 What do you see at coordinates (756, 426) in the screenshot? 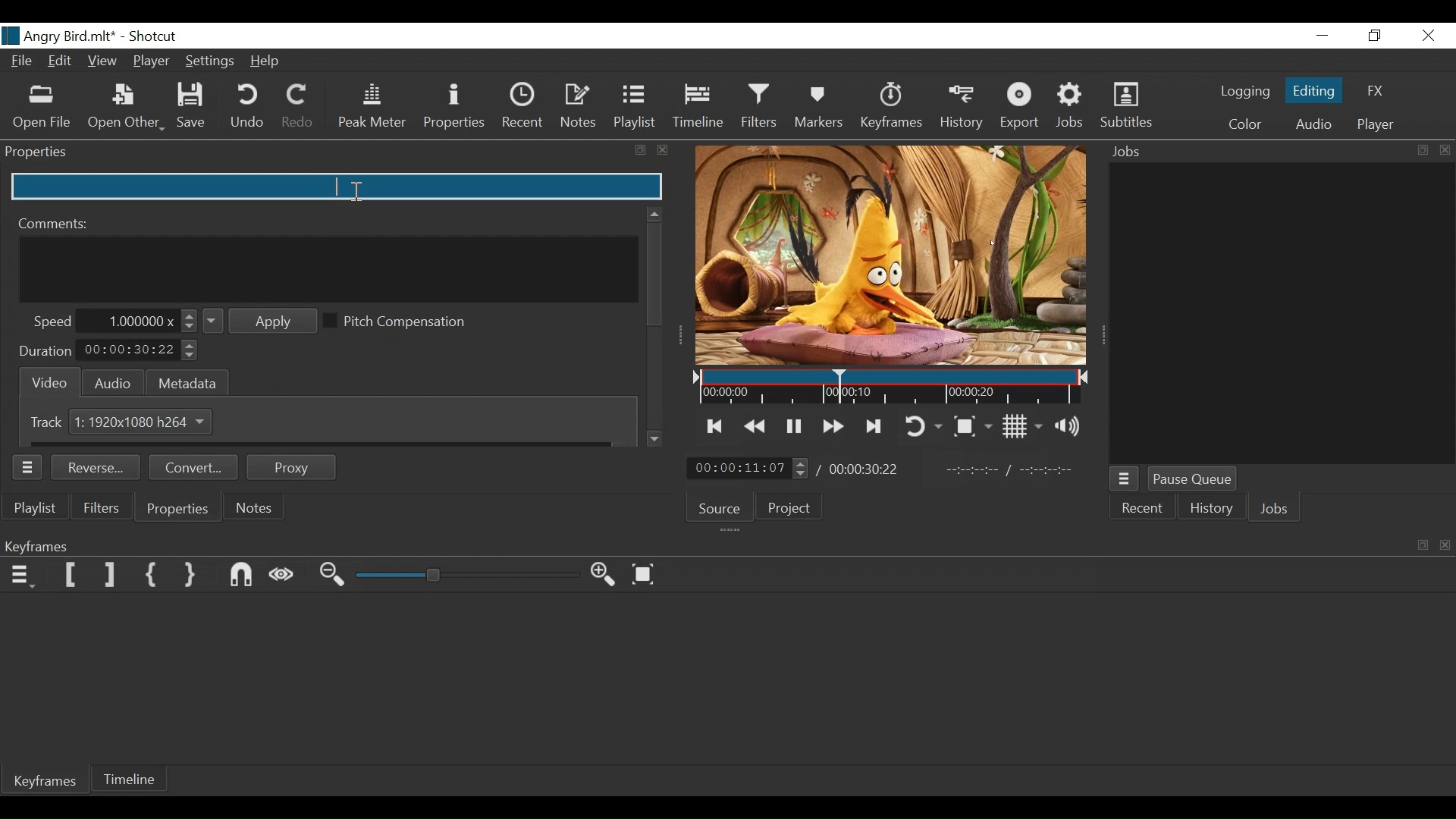
I see `Play quickly backwards` at bounding box center [756, 426].